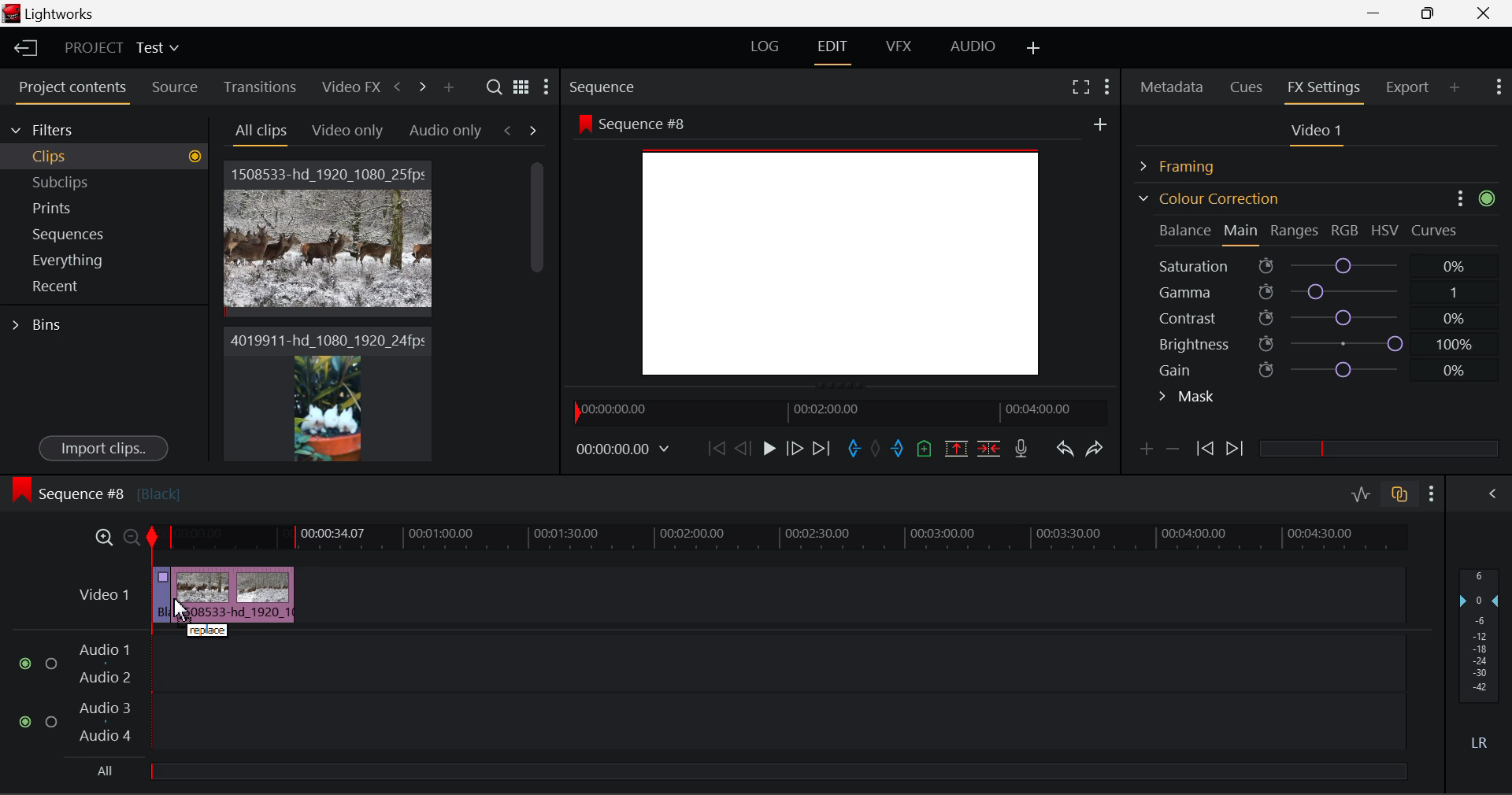 Image resolution: width=1512 pixels, height=795 pixels. Describe the element at coordinates (235, 596) in the screenshot. I see `Clip 2 Deleted` at that location.